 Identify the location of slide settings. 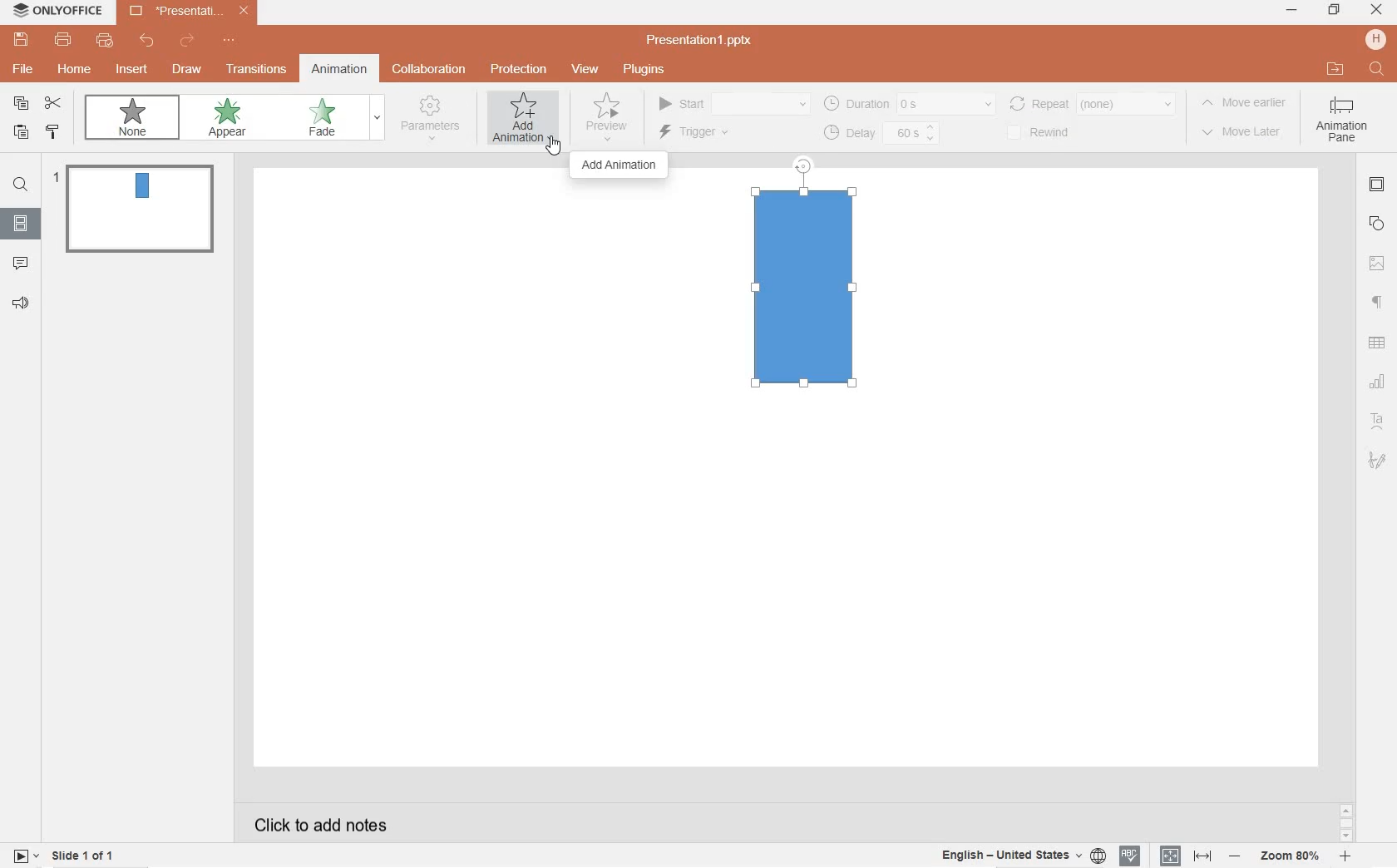
(1378, 186).